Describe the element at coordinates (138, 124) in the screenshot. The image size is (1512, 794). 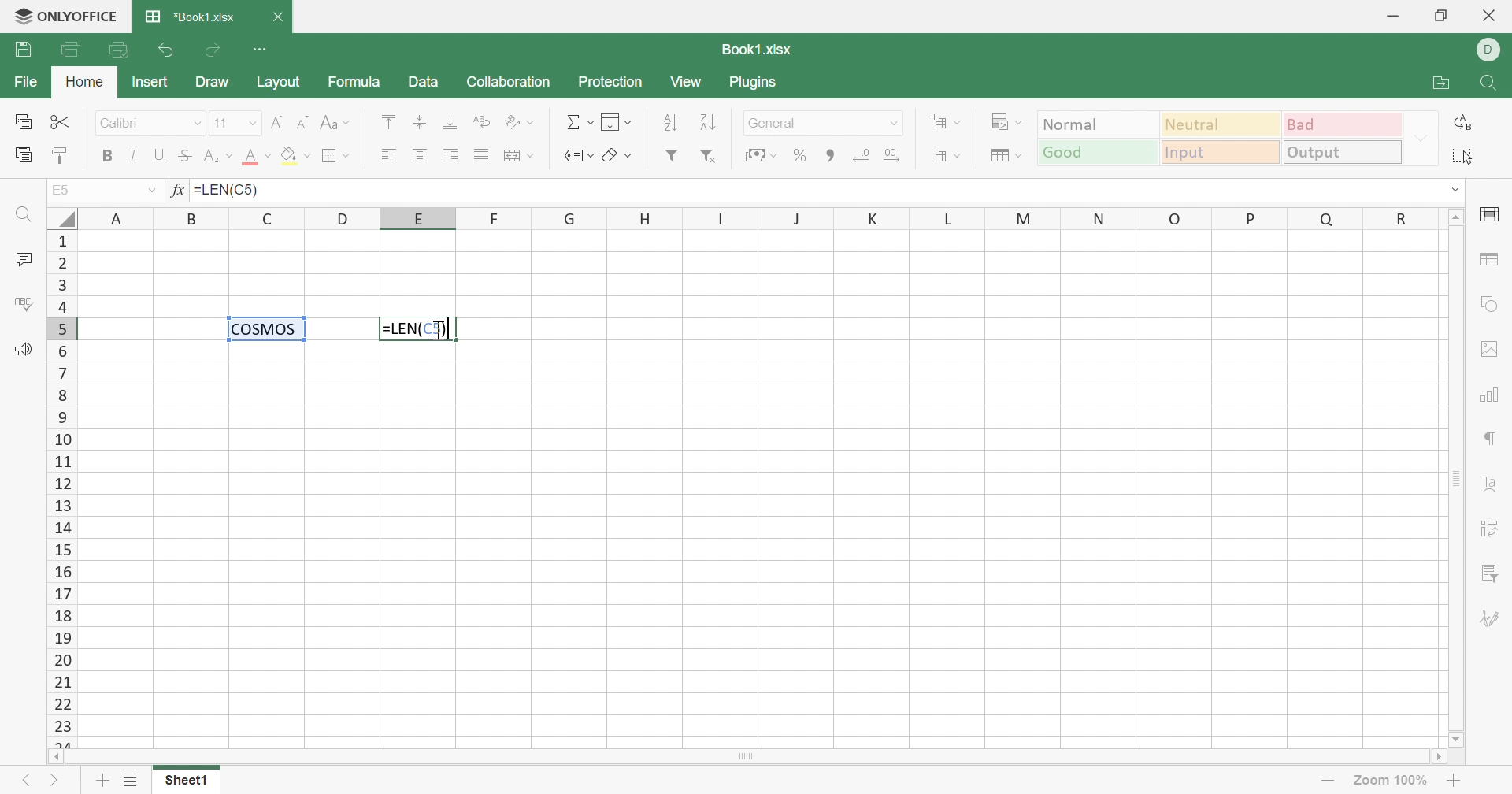
I see `Font` at that location.